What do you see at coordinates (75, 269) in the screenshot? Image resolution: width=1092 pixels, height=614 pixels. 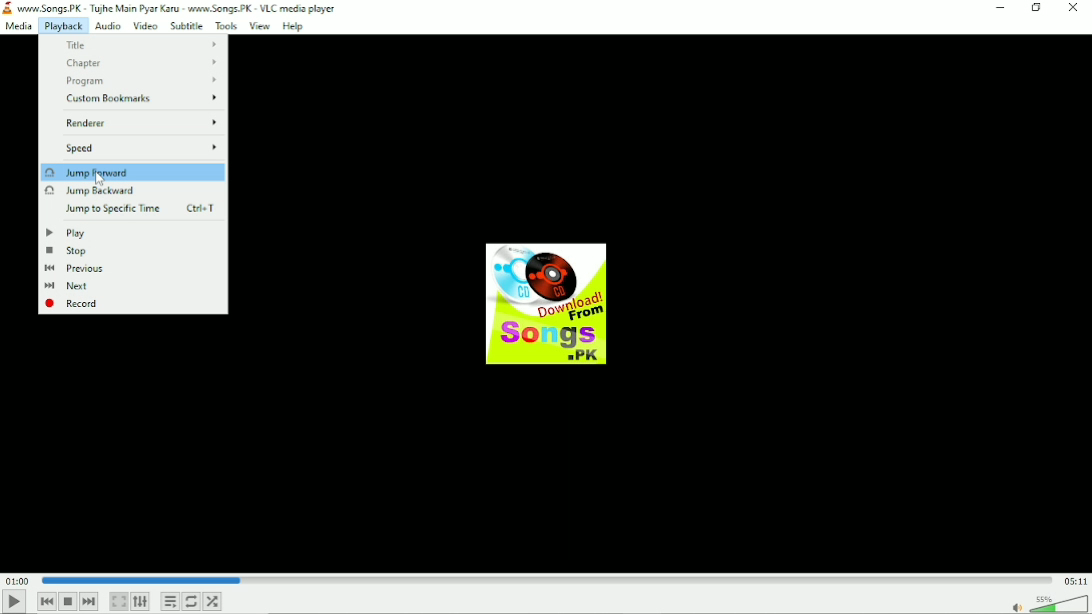 I see `Previous` at bounding box center [75, 269].